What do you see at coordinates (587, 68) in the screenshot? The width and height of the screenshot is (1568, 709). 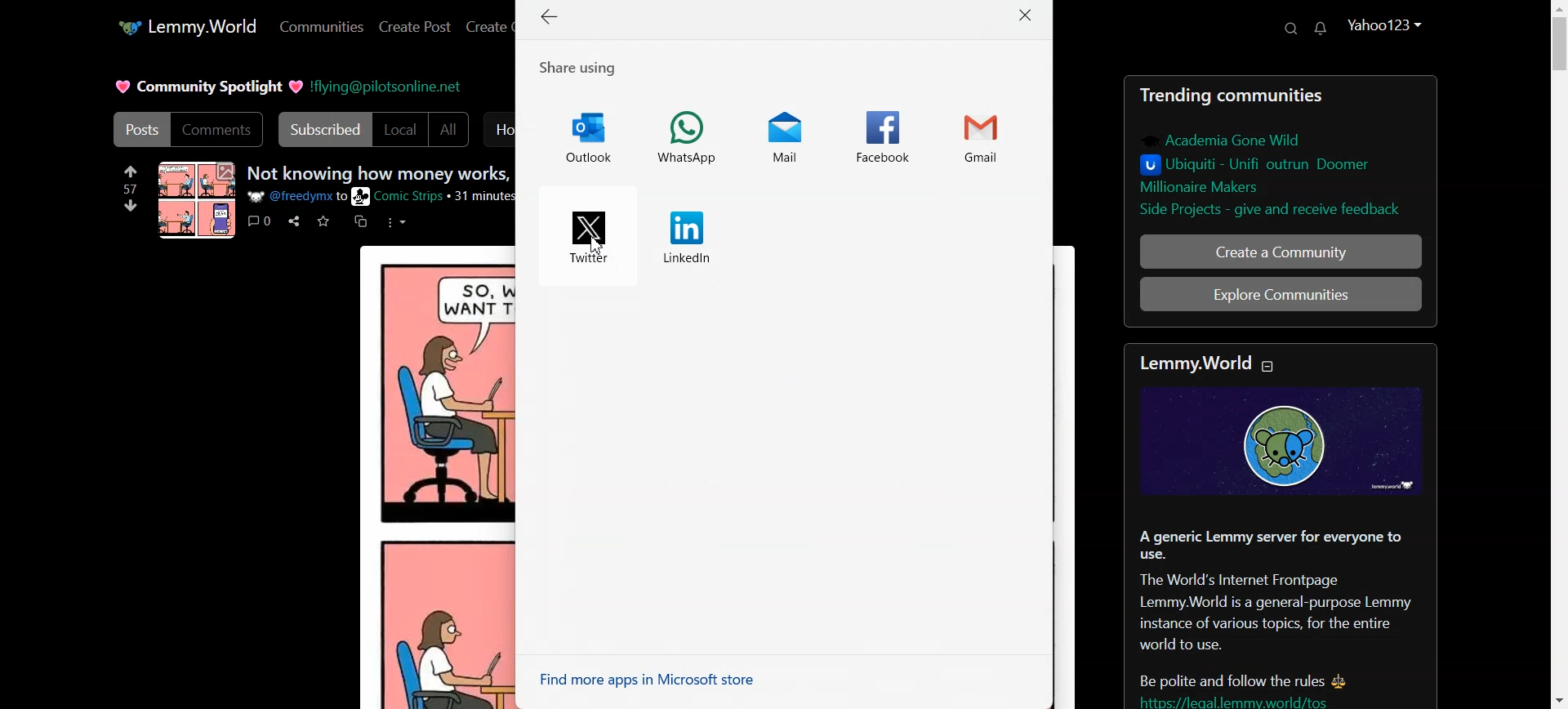 I see `share using ` at bounding box center [587, 68].